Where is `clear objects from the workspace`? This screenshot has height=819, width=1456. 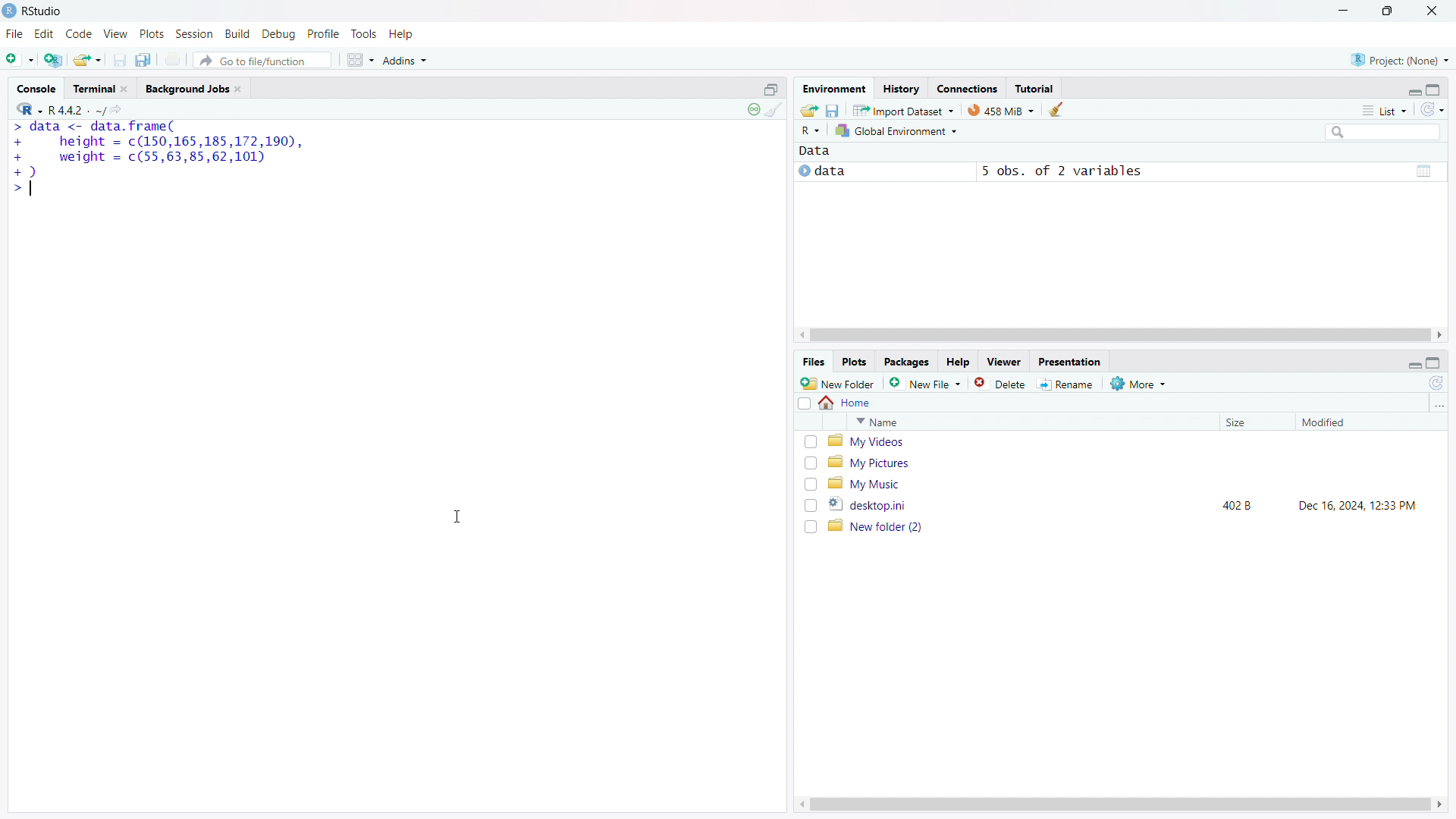 clear objects from the workspace is located at coordinates (1055, 109).